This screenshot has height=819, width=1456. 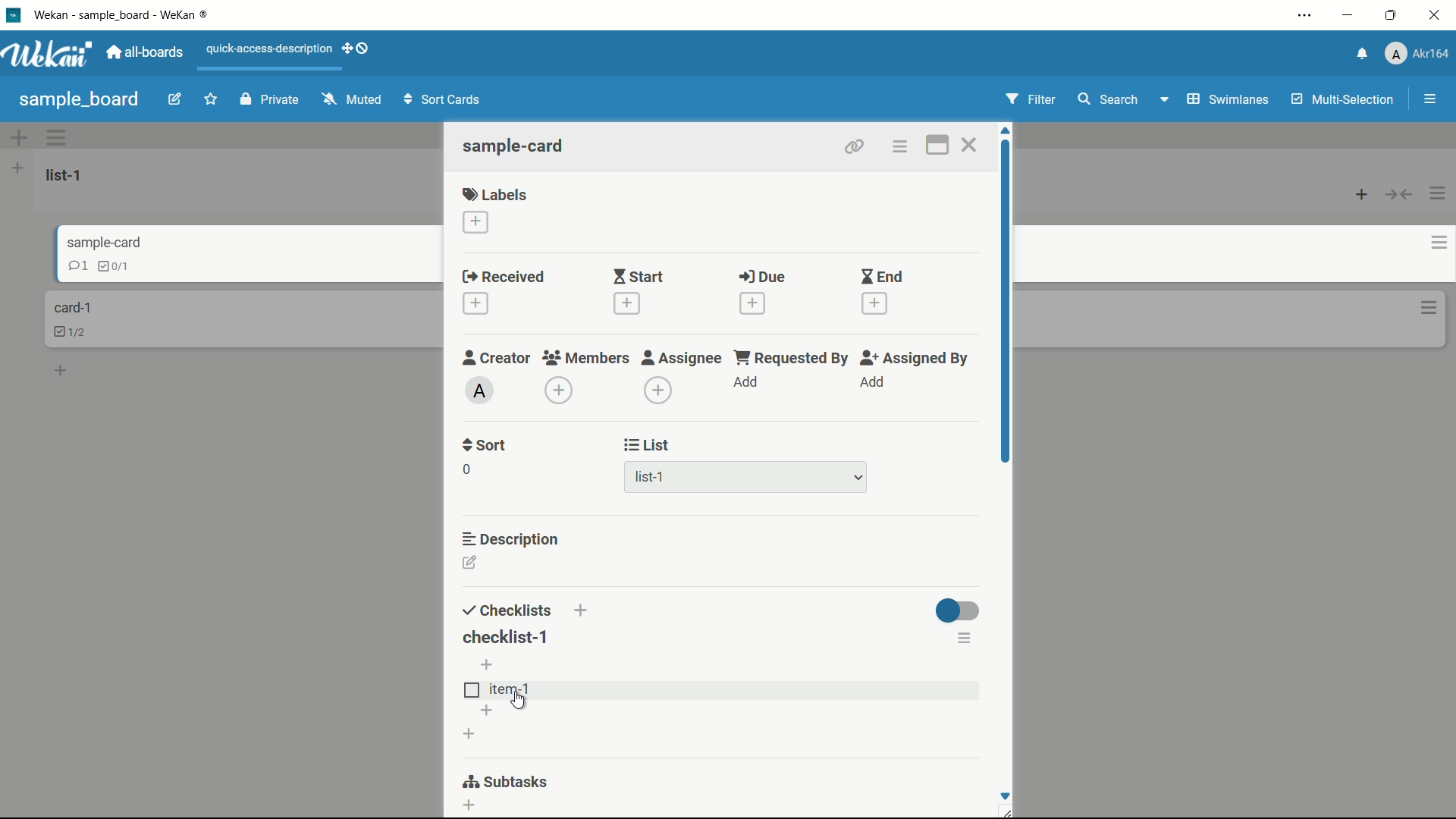 What do you see at coordinates (583, 611) in the screenshot?
I see `add checklist` at bounding box center [583, 611].